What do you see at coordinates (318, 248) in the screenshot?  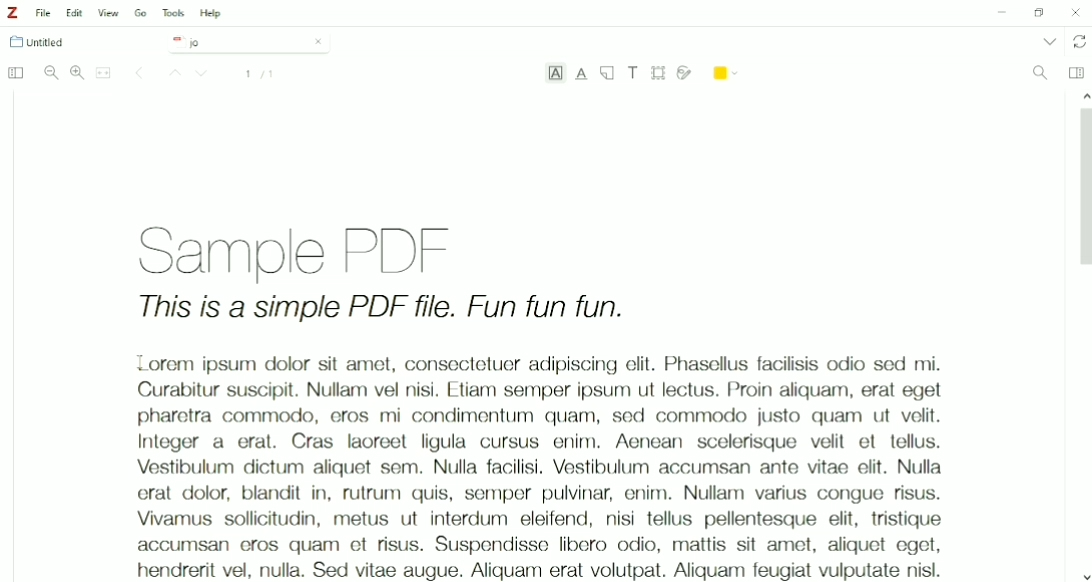 I see `Sample PDF` at bounding box center [318, 248].